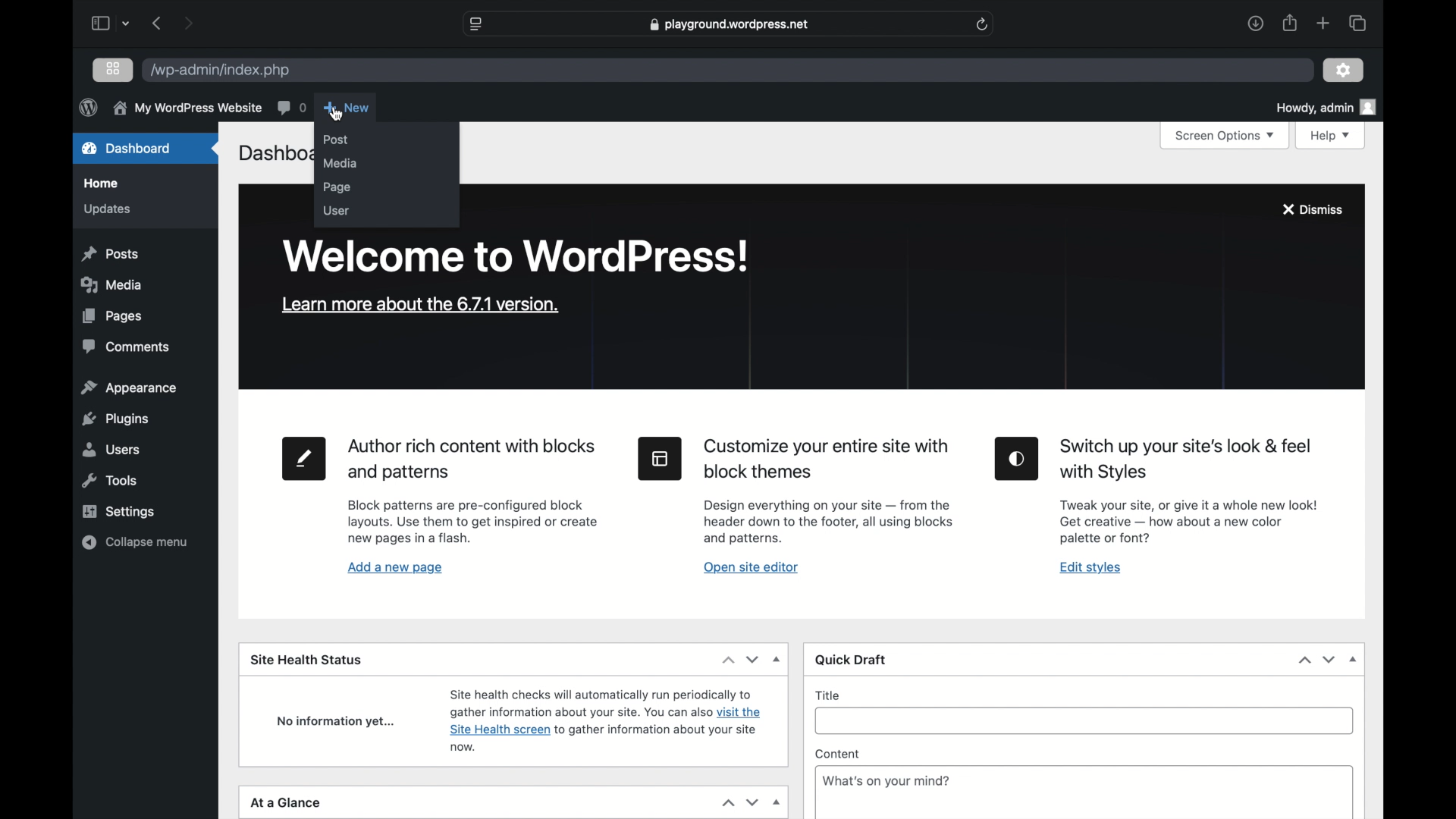 The image size is (1456, 819). What do you see at coordinates (740, 659) in the screenshot?
I see `stepper buttons` at bounding box center [740, 659].